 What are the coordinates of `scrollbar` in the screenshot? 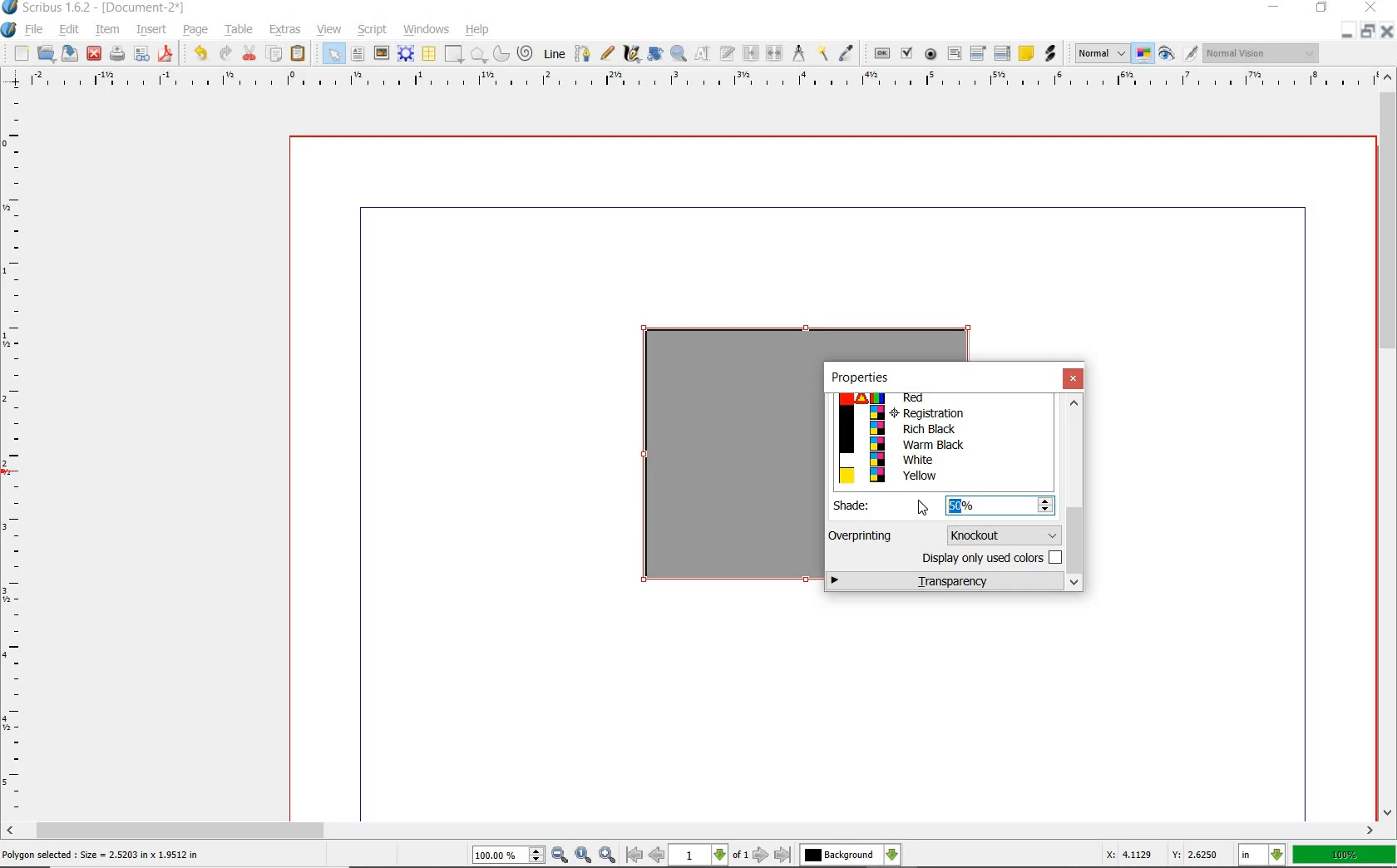 It's located at (691, 831).